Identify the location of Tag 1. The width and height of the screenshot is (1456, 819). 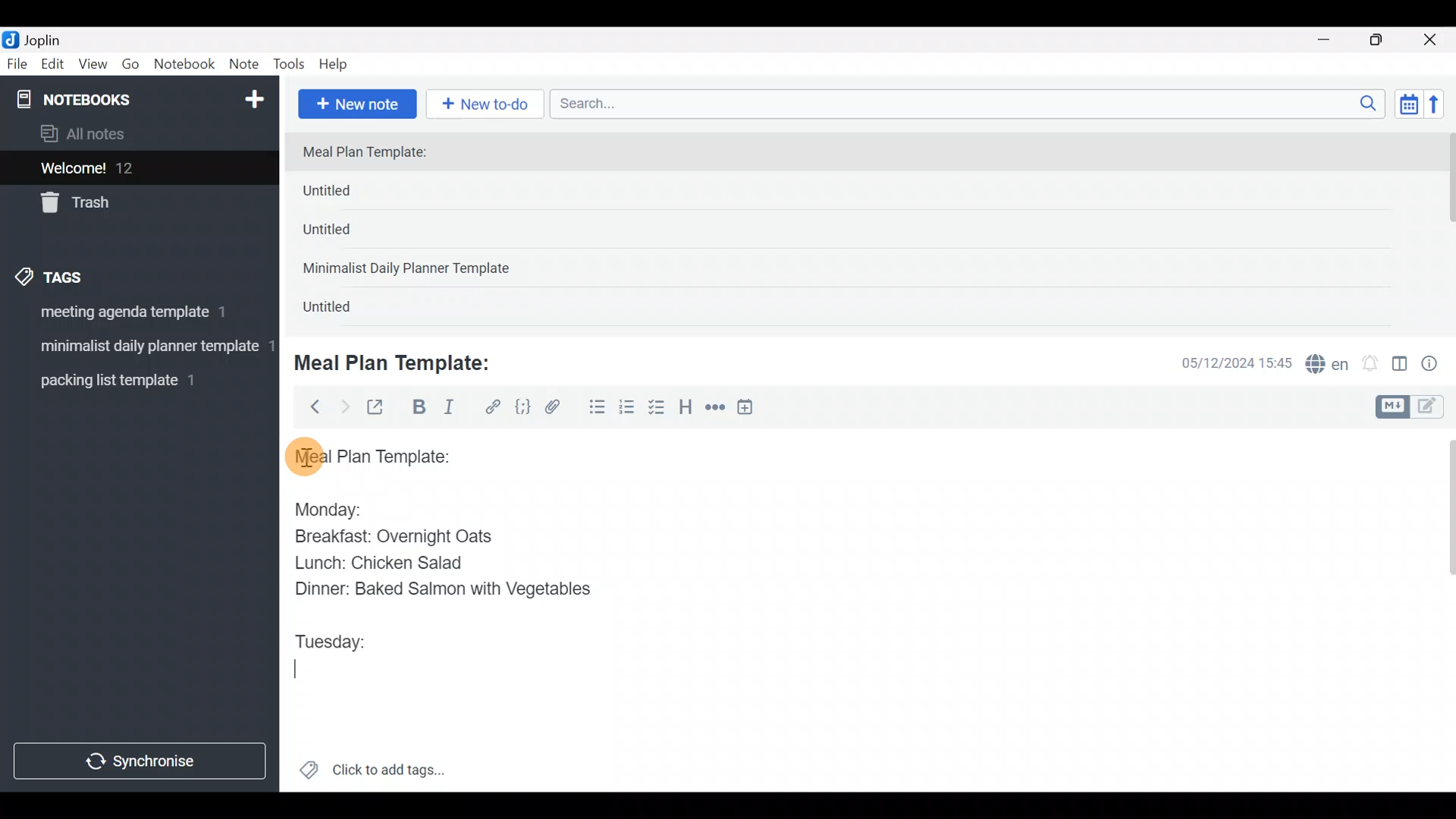
(135, 316).